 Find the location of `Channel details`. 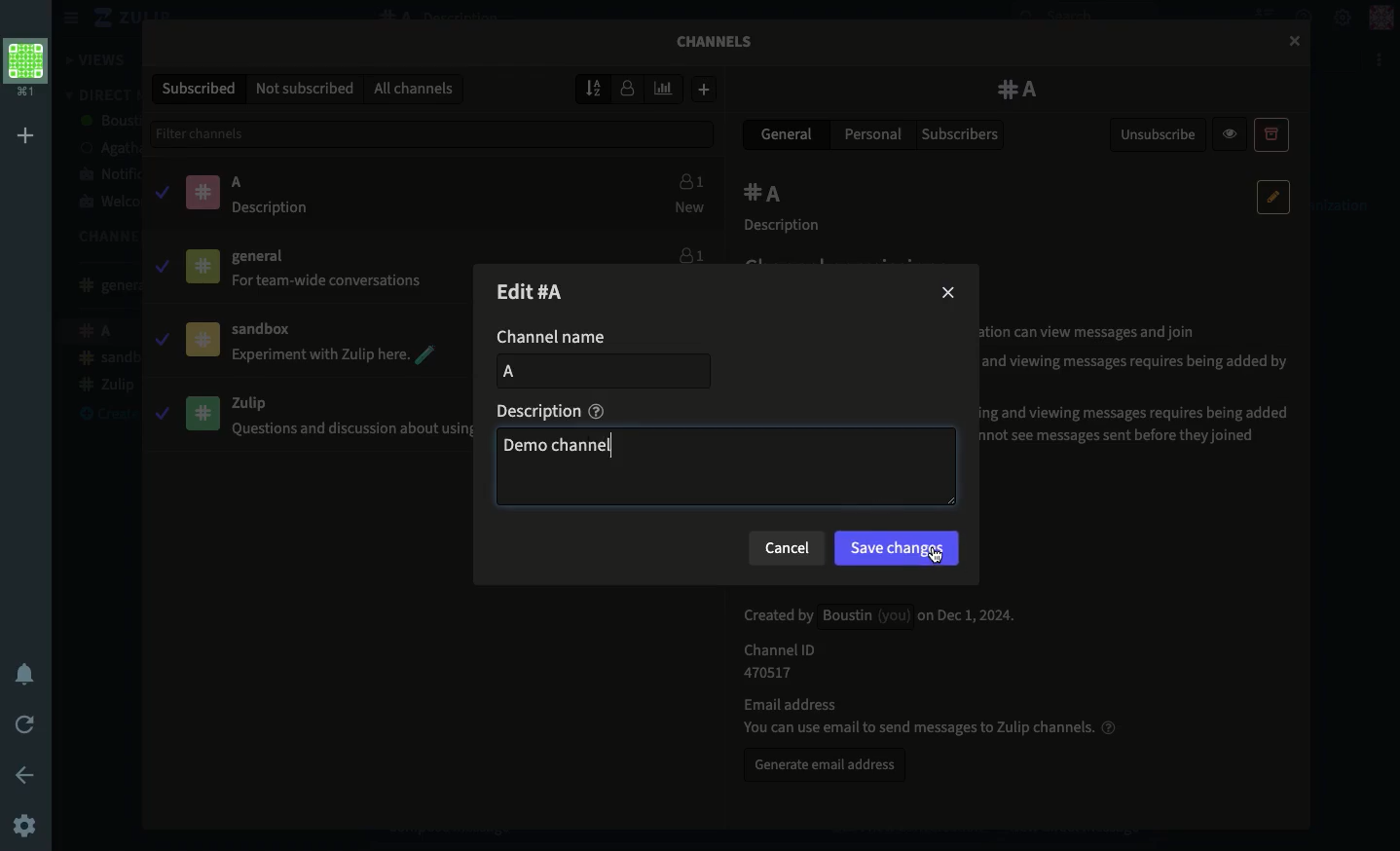

Channel details is located at coordinates (918, 669).